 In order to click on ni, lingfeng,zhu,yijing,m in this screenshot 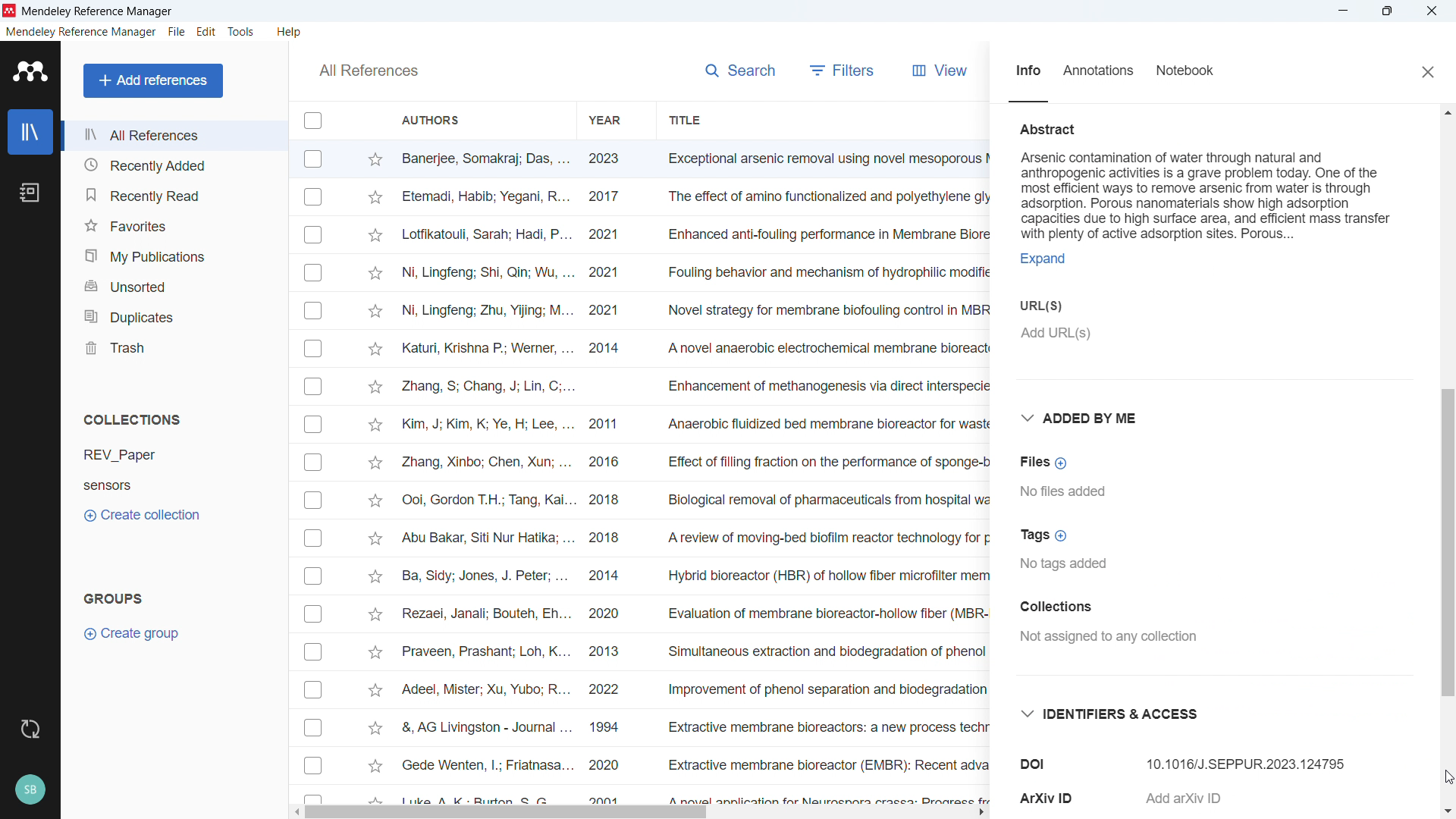, I will do `click(487, 312)`.